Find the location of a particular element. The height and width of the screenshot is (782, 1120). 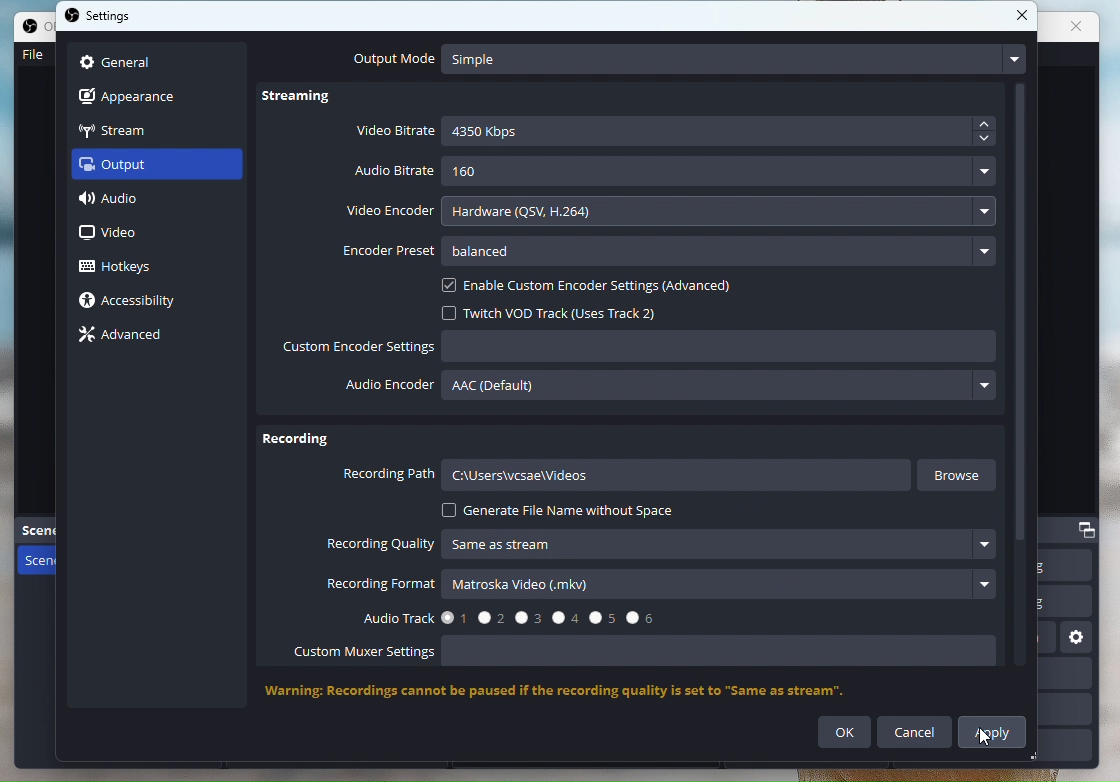

cursor is located at coordinates (985, 743).